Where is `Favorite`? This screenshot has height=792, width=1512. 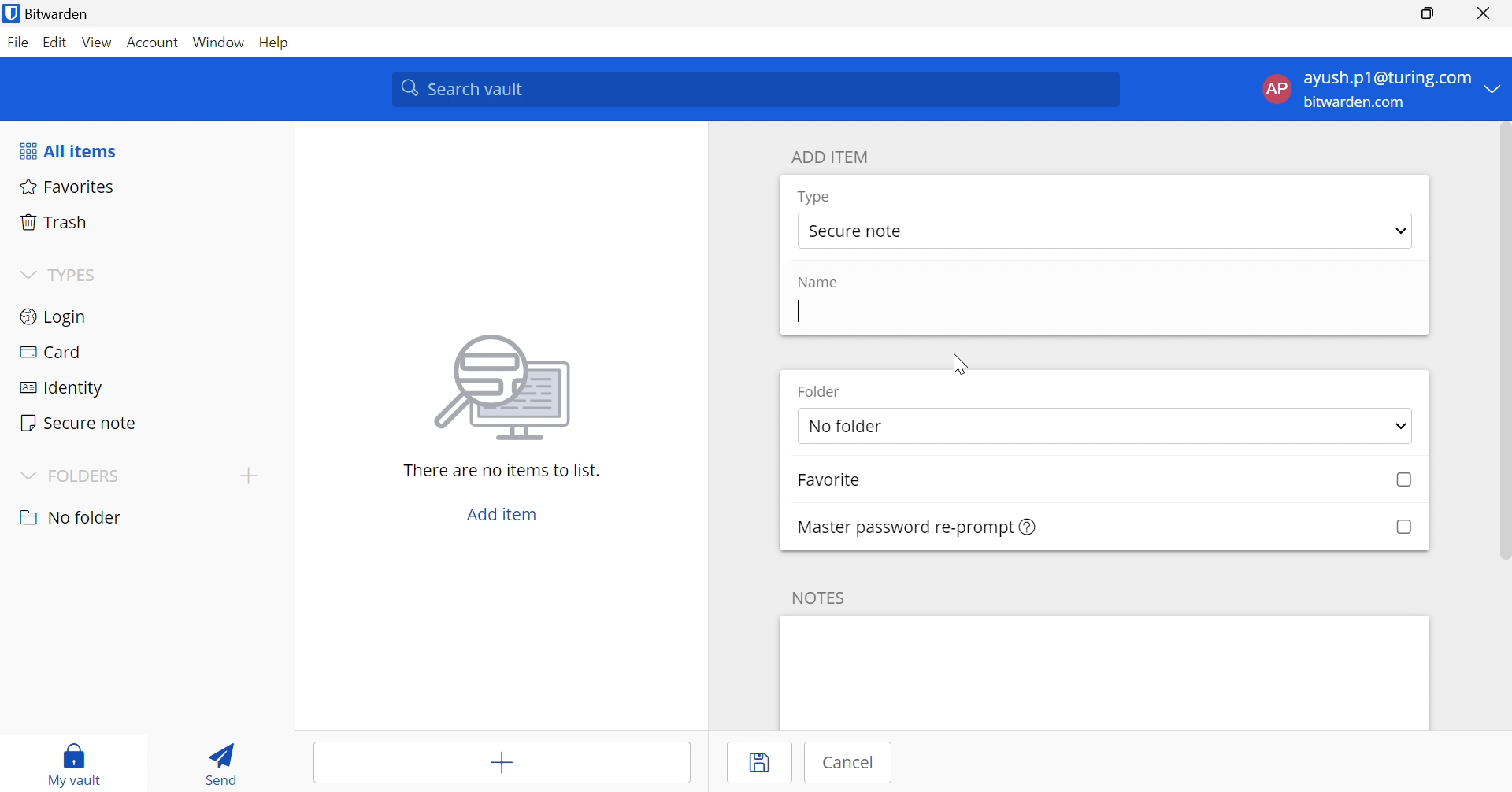 Favorite is located at coordinates (833, 482).